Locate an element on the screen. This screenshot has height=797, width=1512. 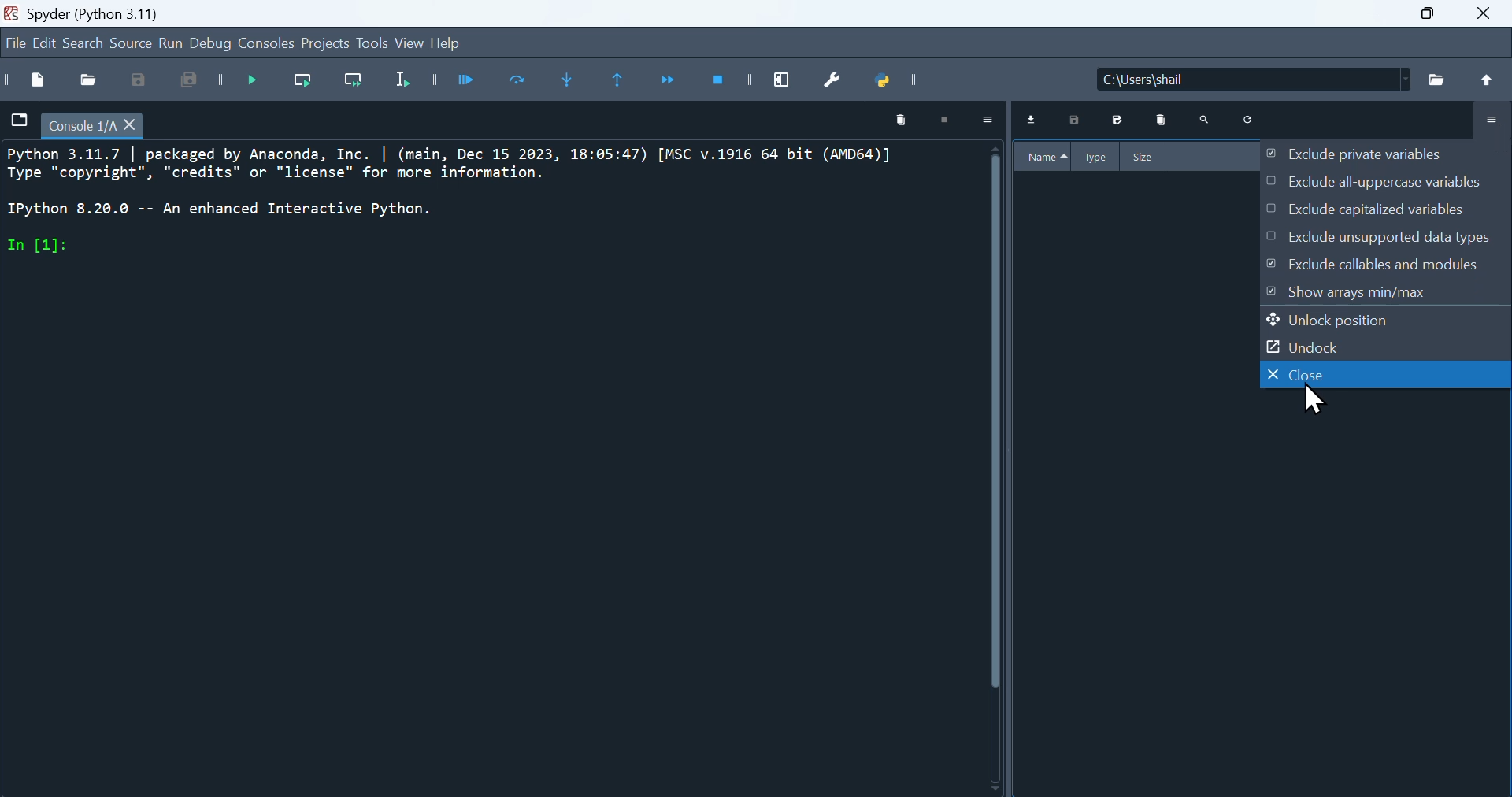
stop is located at coordinates (949, 120).